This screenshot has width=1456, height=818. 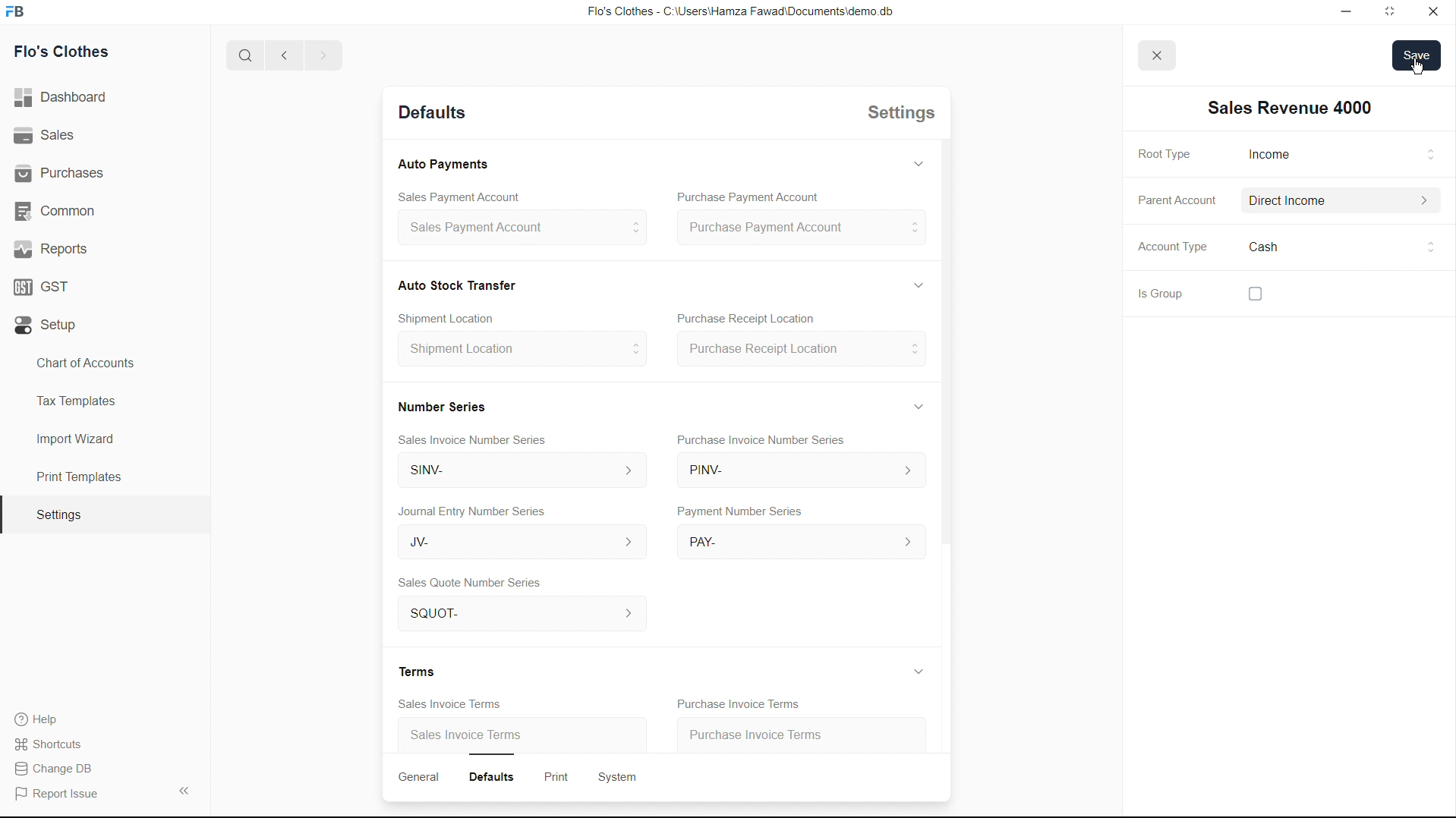 I want to click on GST, so click(x=47, y=283).